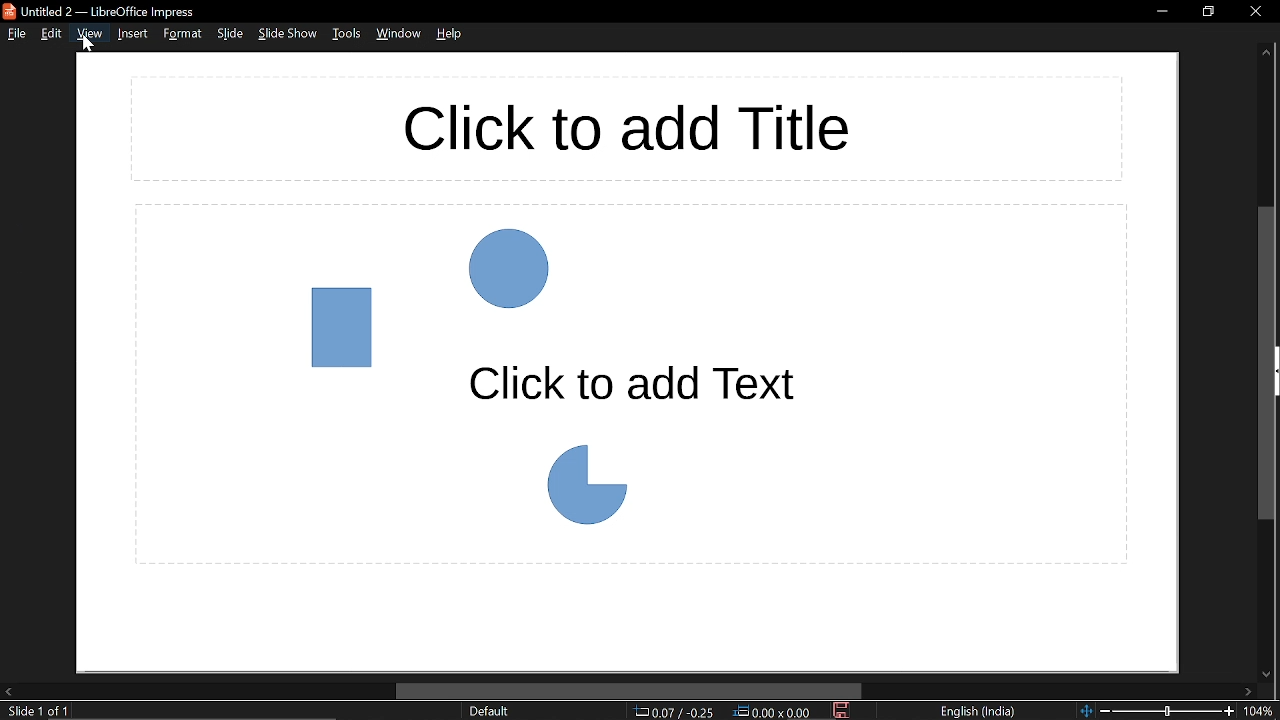  What do you see at coordinates (8, 691) in the screenshot?
I see `Move left` at bounding box center [8, 691].